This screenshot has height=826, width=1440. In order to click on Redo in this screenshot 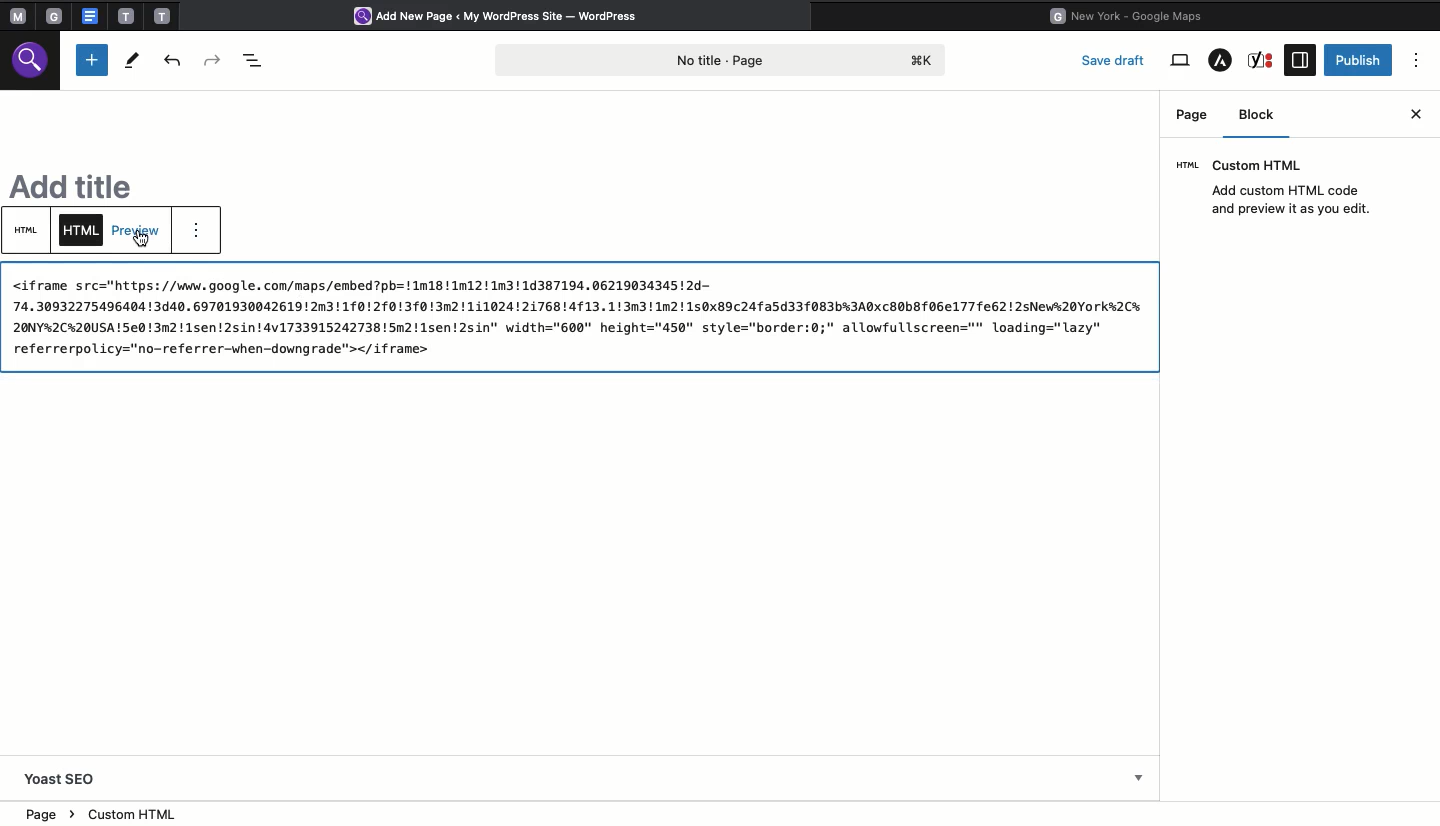, I will do `click(214, 57)`.